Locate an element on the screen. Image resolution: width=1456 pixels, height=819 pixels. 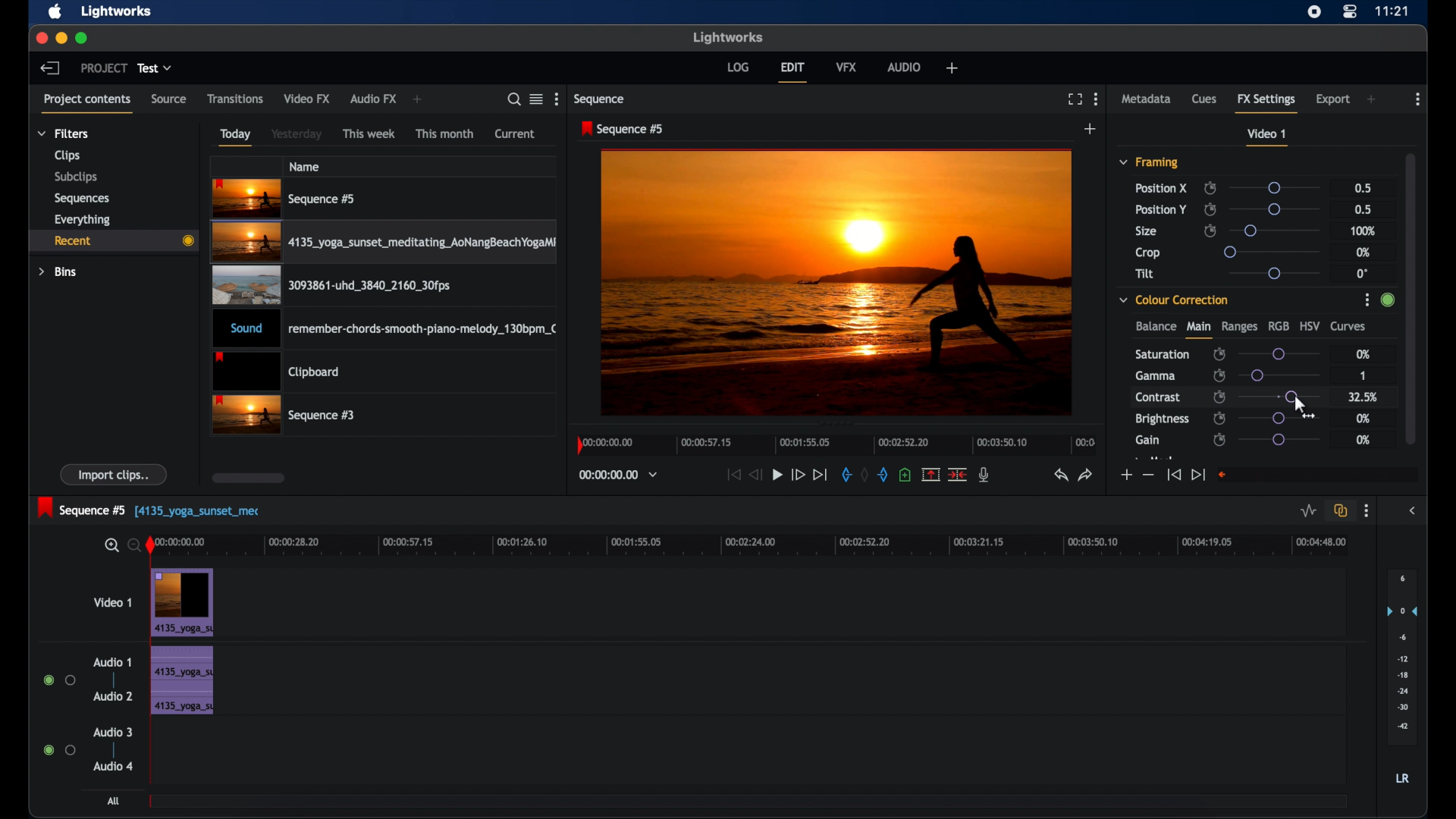
video preview is located at coordinates (836, 284).